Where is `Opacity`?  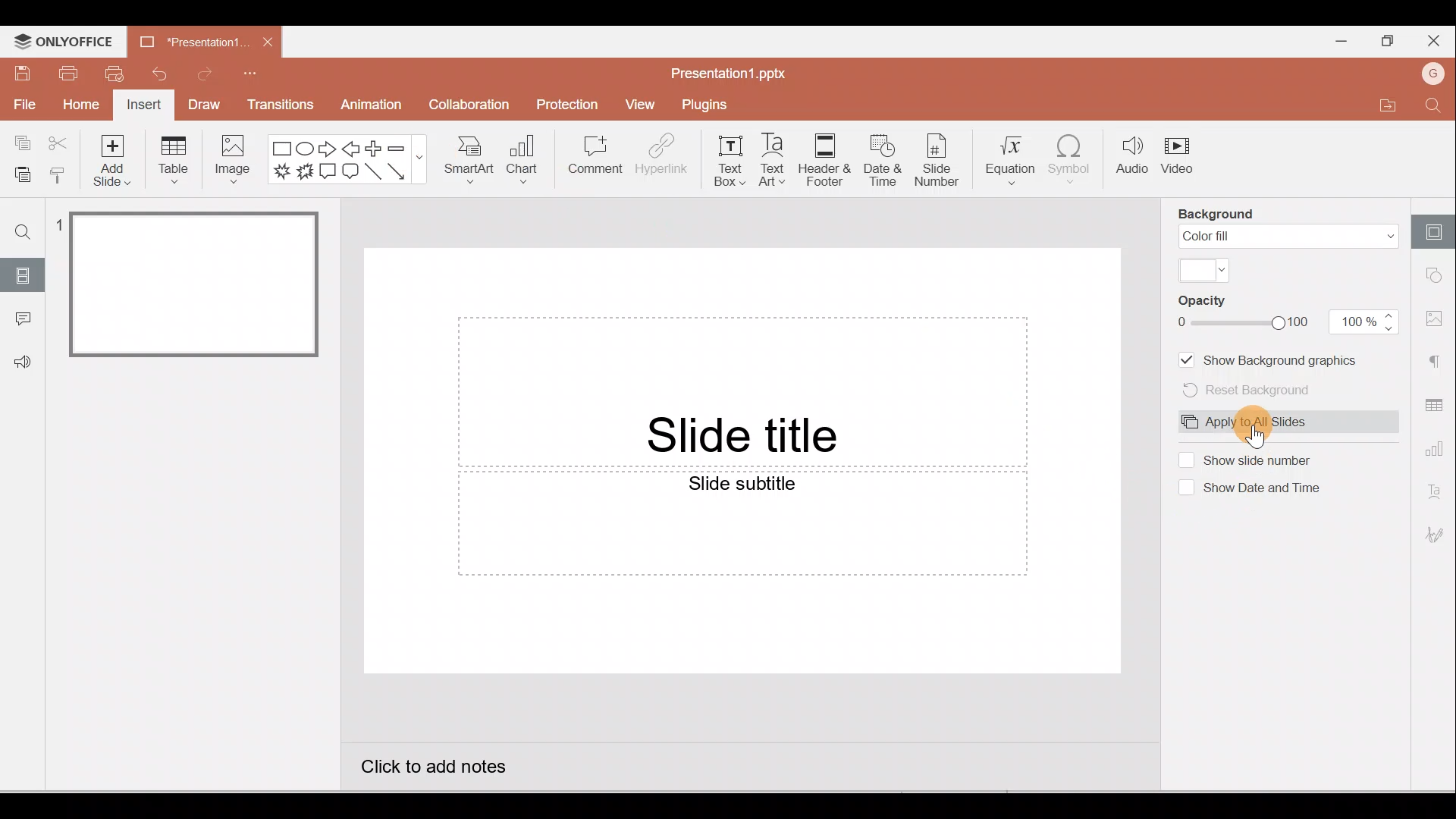 Opacity is located at coordinates (1215, 302).